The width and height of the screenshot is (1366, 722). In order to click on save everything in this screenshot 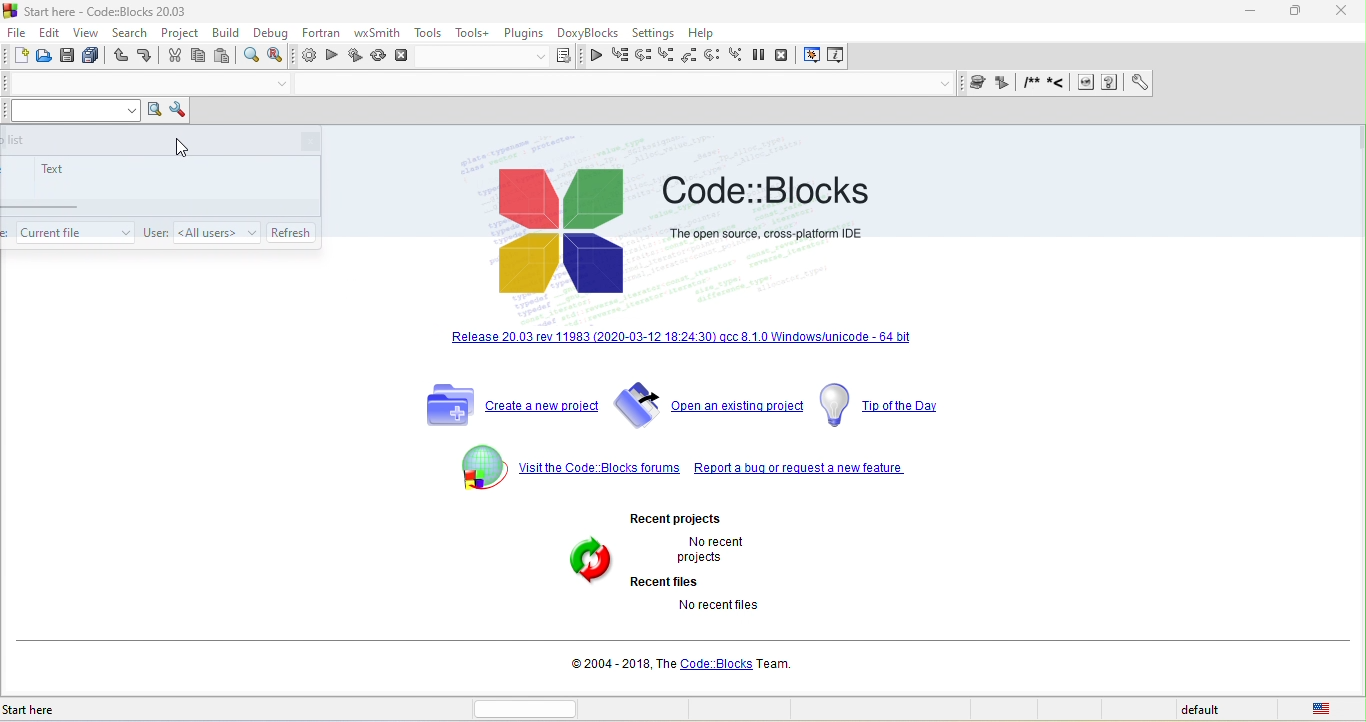, I will do `click(93, 56)`.